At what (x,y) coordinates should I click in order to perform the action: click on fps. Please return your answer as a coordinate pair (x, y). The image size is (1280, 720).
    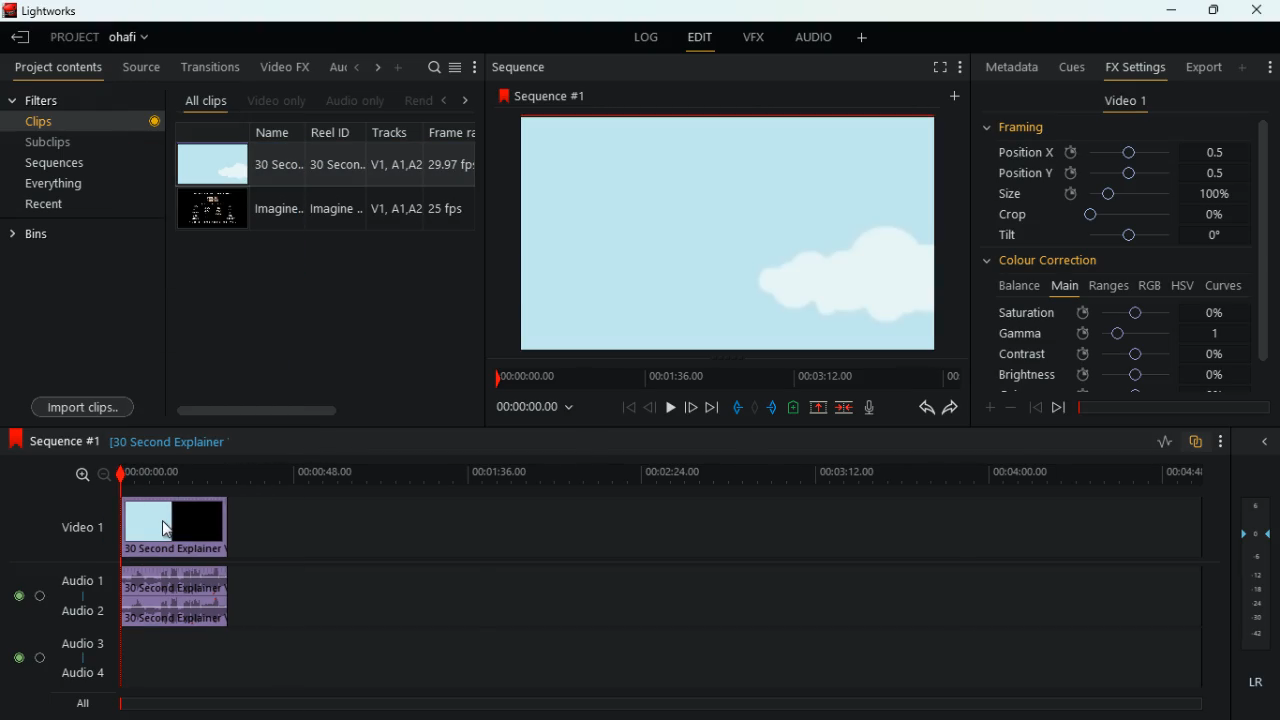
    Looking at the image, I should click on (450, 176).